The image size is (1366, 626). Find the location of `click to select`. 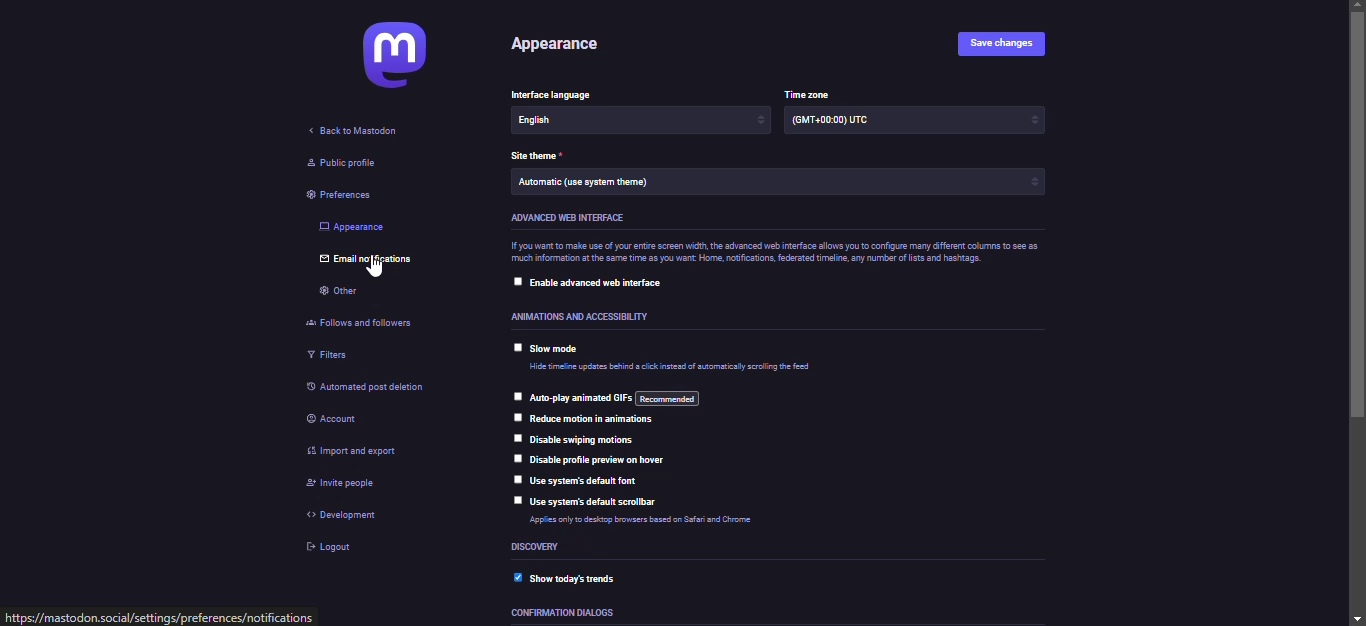

click to select is located at coordinates (514, 416).